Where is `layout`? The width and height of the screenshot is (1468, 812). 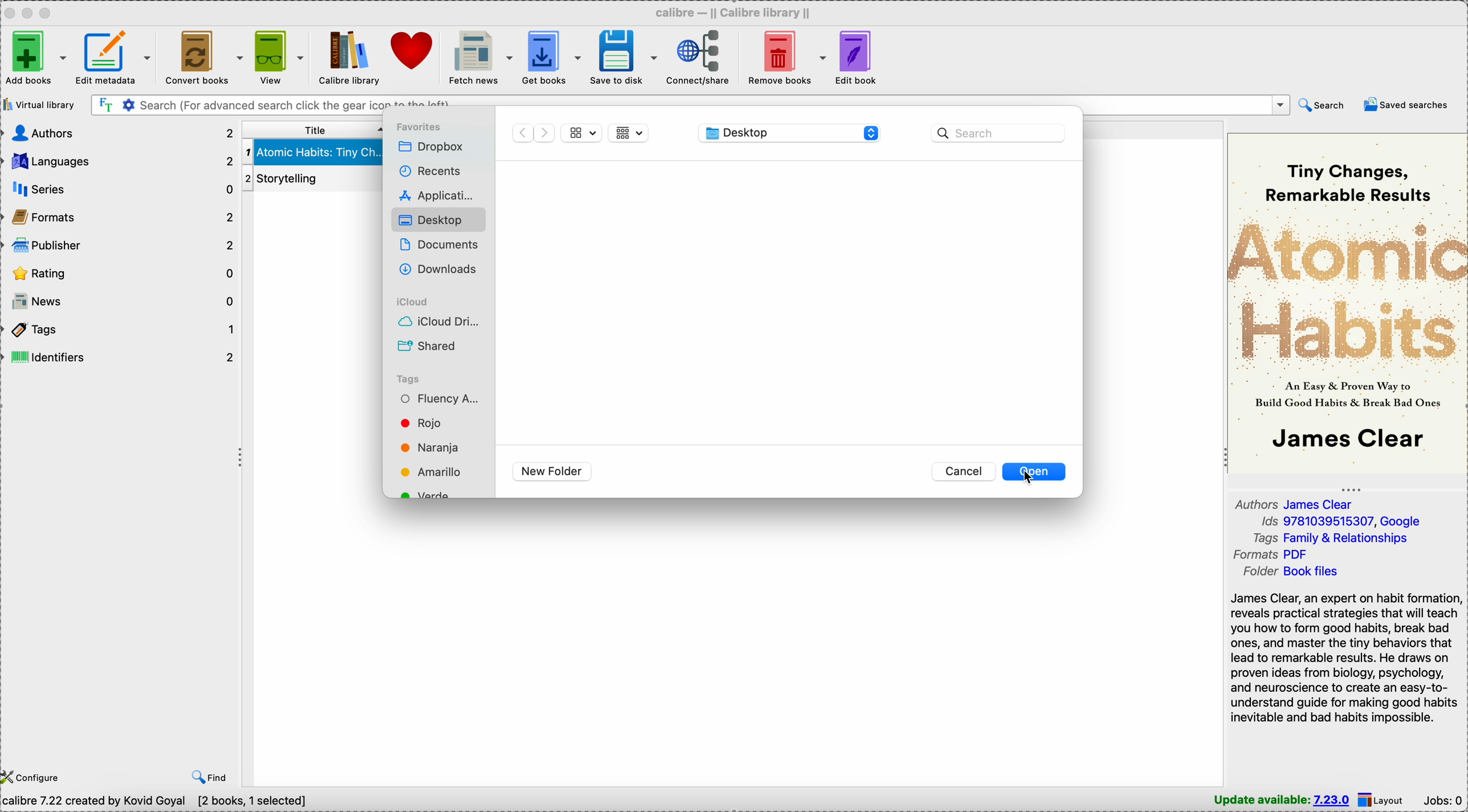 layout is located at coordinates (1381, 800).